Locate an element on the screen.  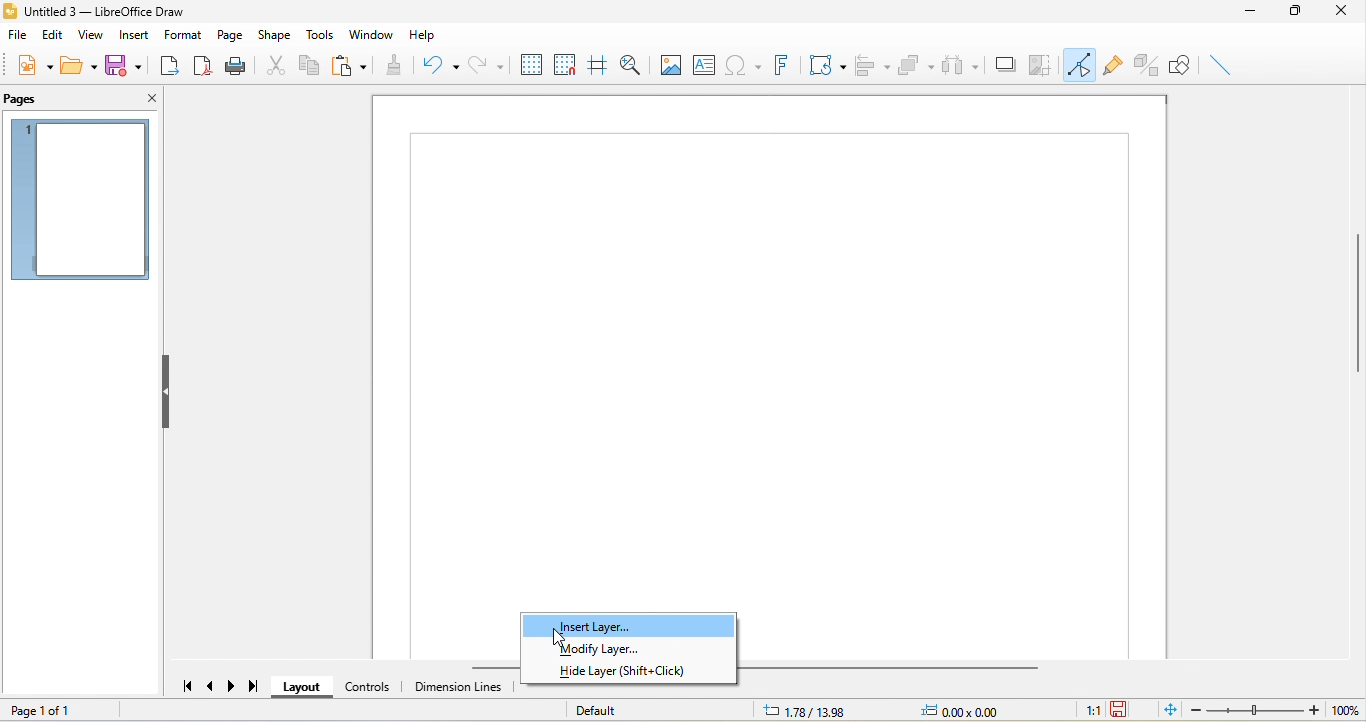
transformation is located at coordinates (823, 65).